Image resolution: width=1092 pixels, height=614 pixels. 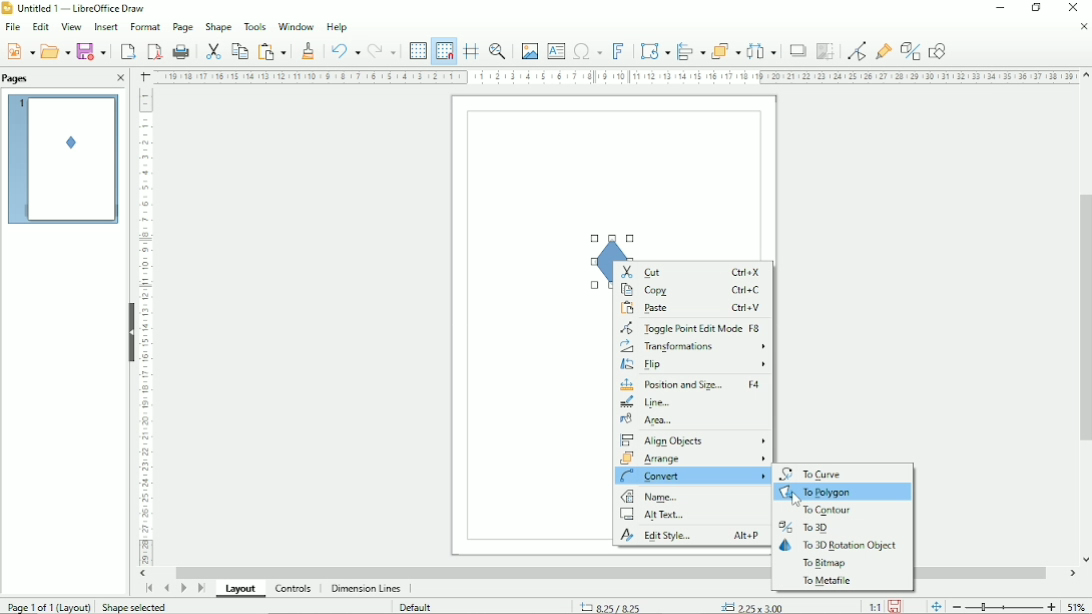 What do you see at coordinates (64, 160) in the screenshot?
I see `Preview` at bounding box center [64, 160].